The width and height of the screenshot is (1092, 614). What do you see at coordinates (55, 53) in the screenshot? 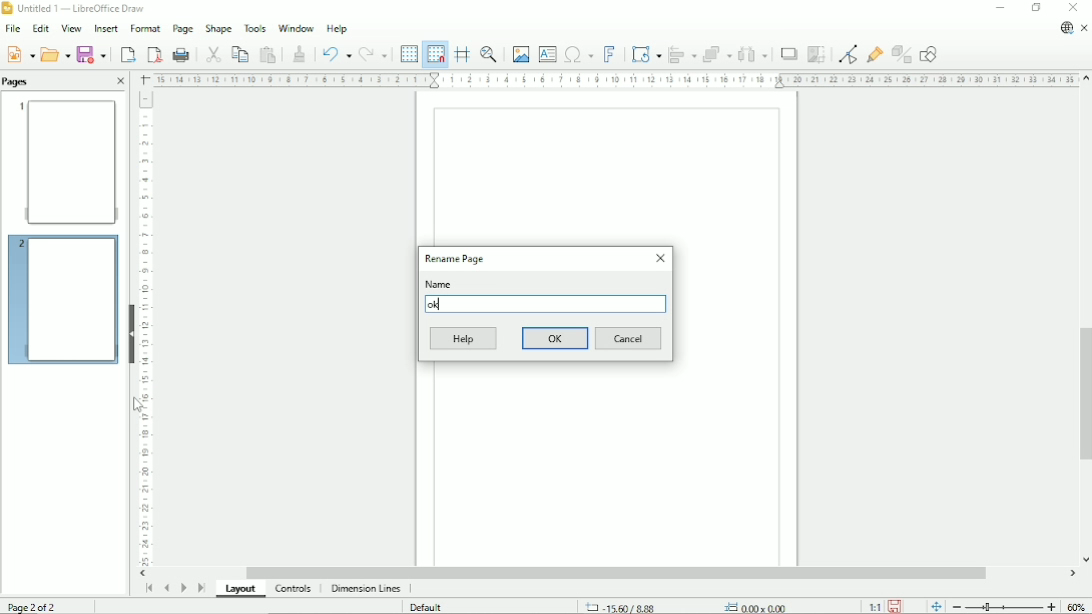
I see `Open` at bounding box center [55, 53].